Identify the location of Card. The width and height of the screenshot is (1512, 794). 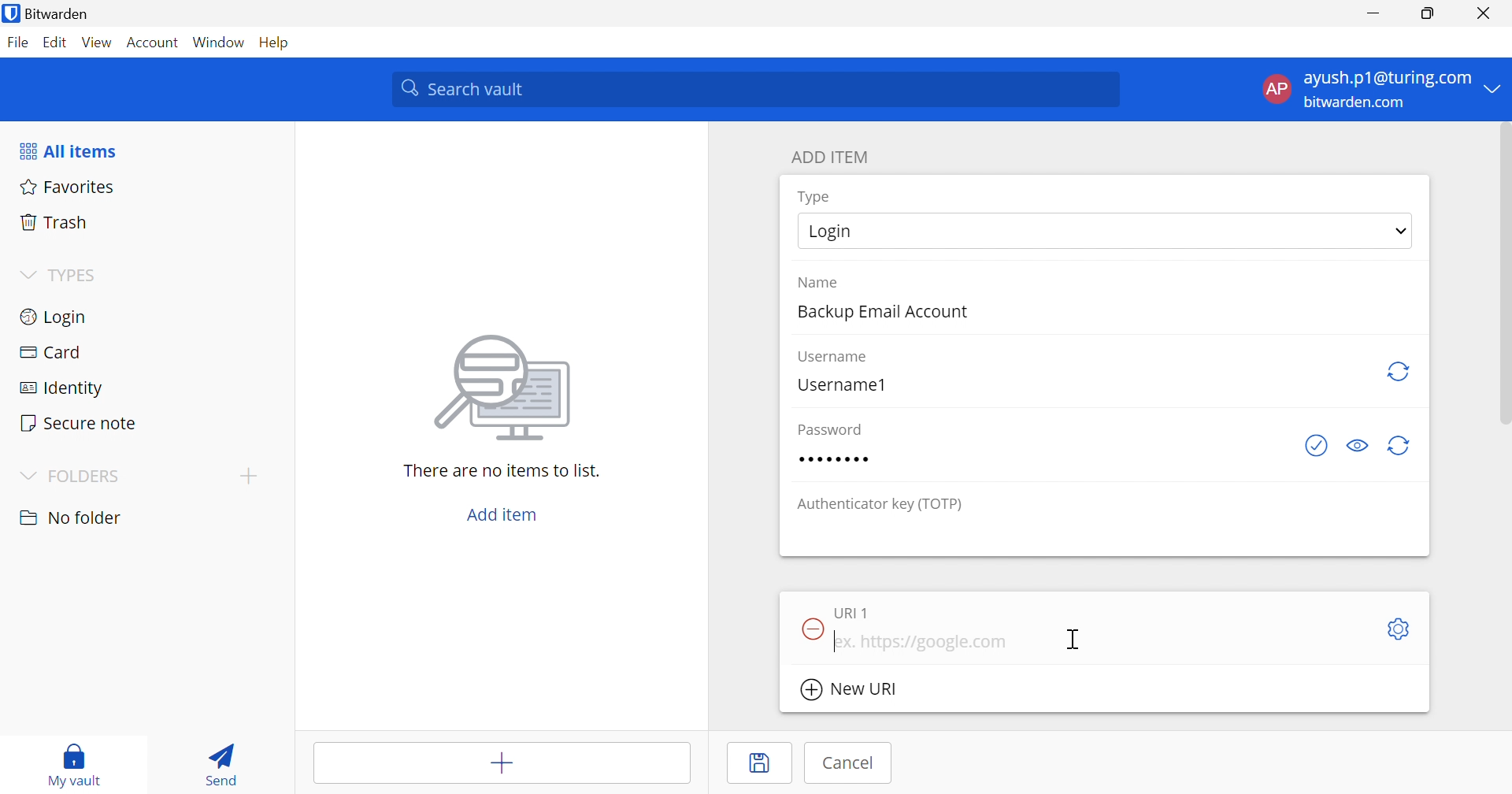
(50, 354).